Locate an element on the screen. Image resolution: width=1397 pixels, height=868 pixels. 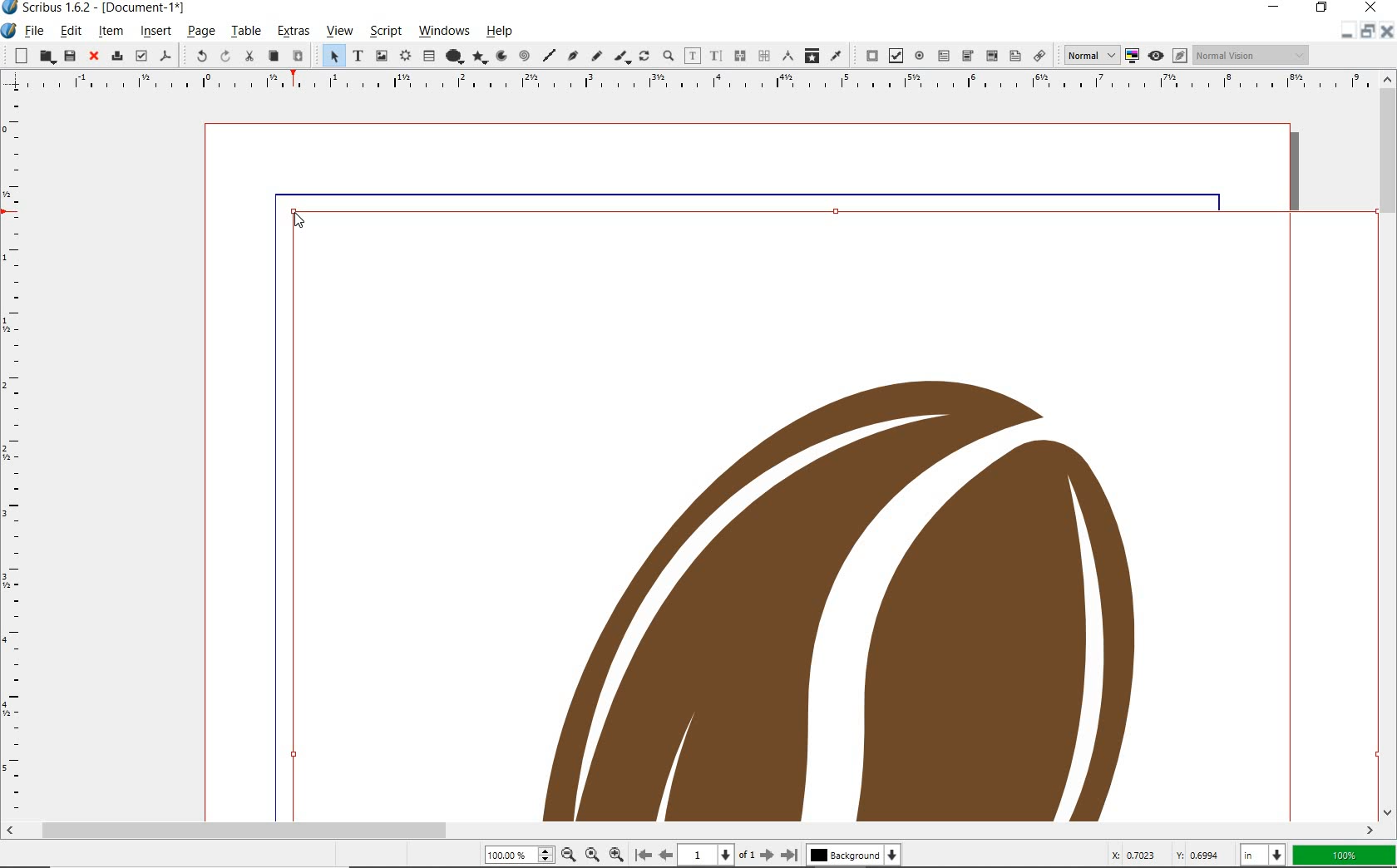
edit is located at coordinates (72, 32).